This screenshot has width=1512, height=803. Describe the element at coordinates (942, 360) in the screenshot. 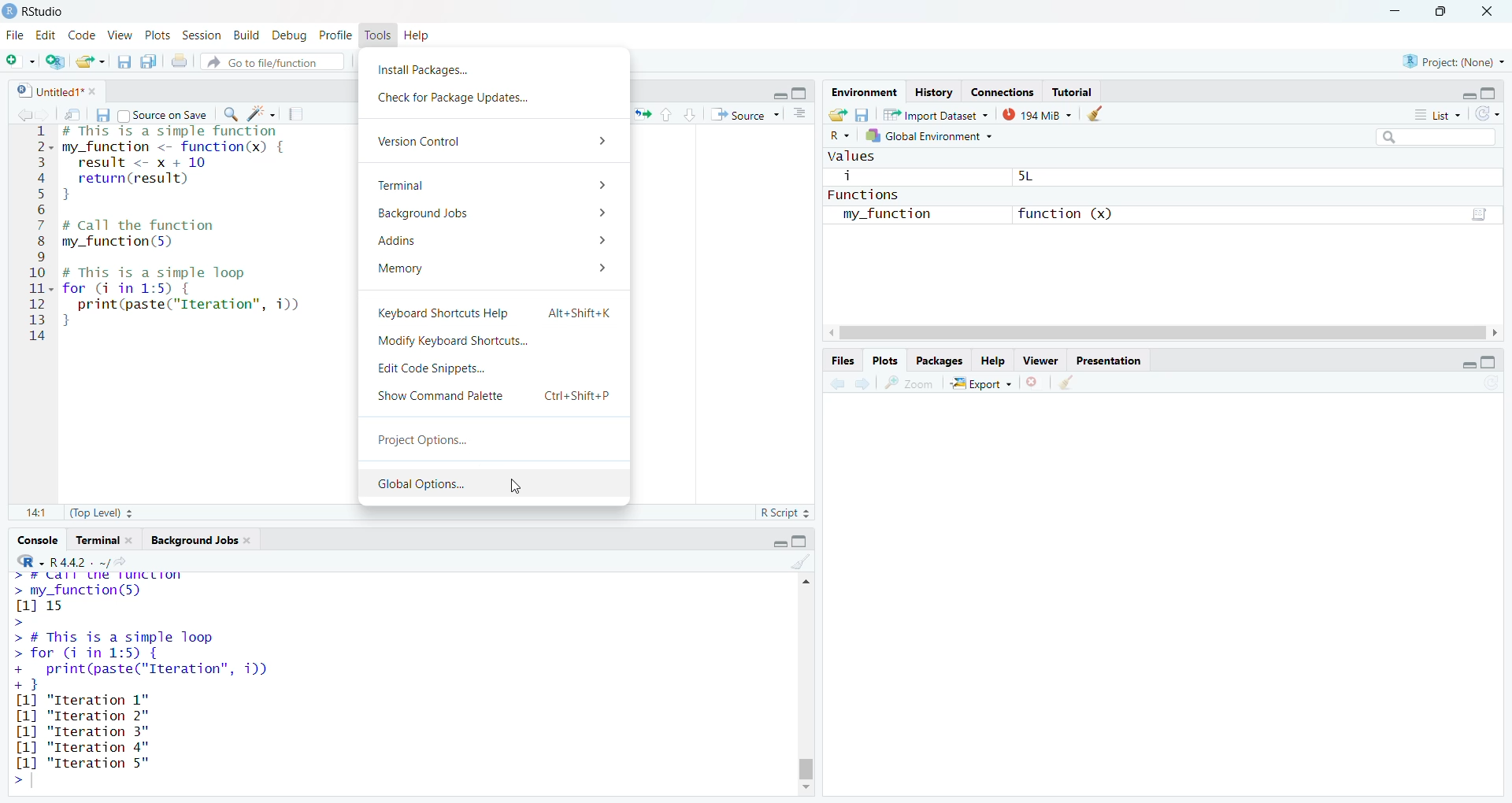

I see `packages` at that location.